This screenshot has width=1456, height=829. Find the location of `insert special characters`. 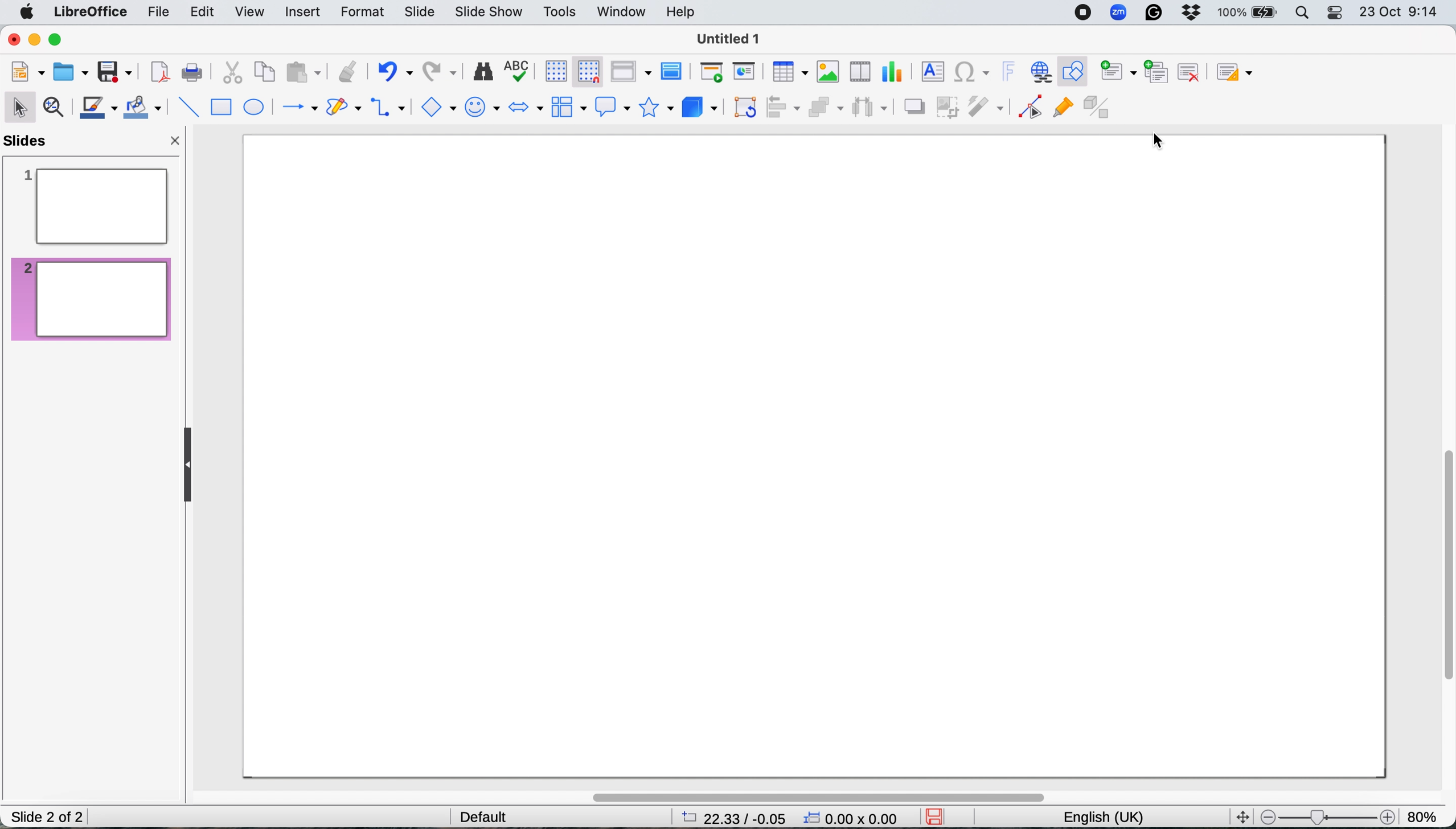

insert special characters is located at coordinates (974, 72).